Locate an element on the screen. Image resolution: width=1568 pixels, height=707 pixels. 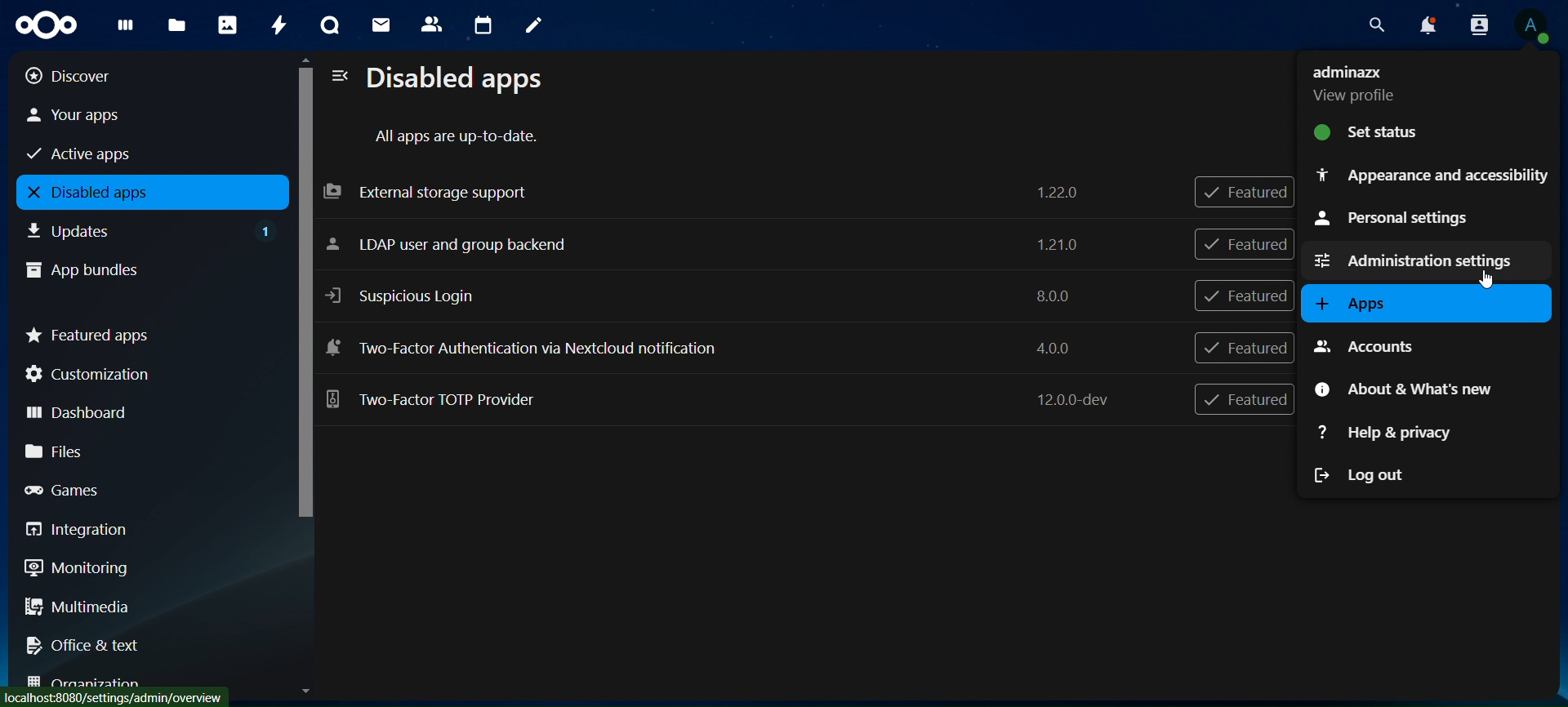
view profile is located at coordinates (1533, 26).